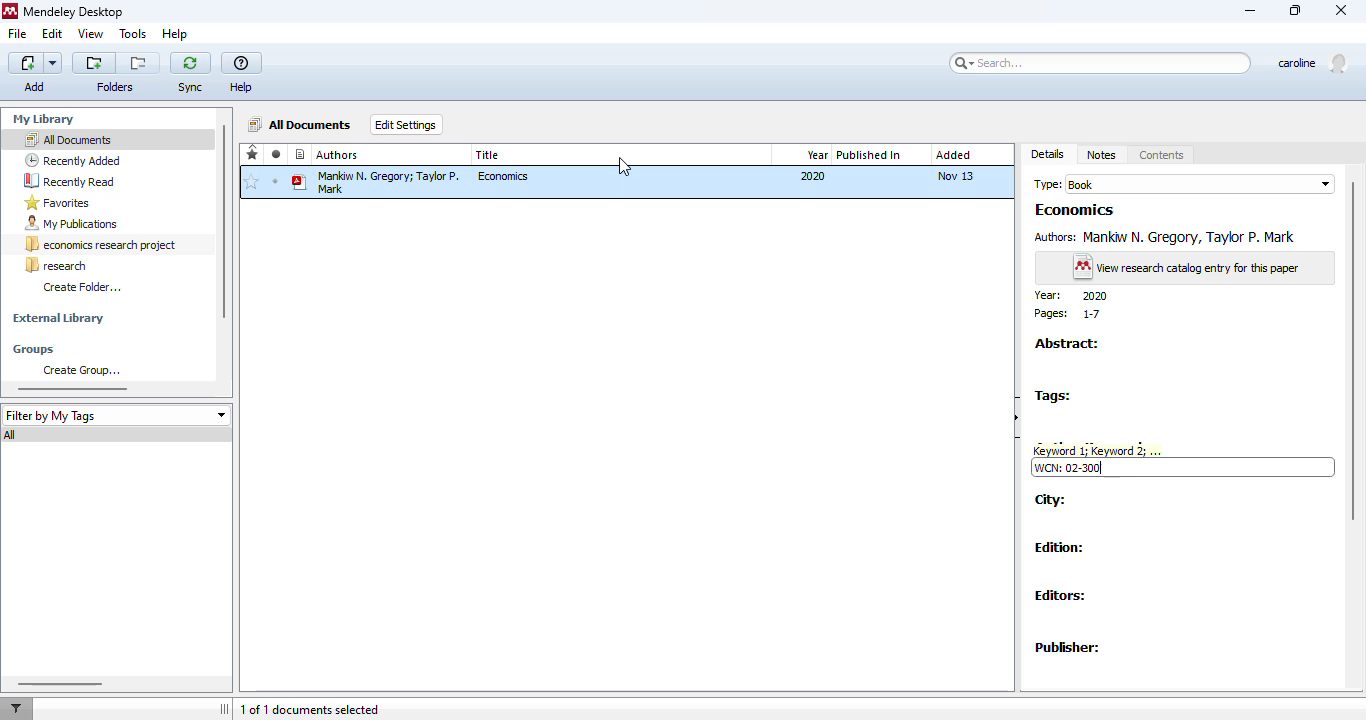  Describe the element at coordinates (487, 154) in the screenshot. I see `title` at that location.